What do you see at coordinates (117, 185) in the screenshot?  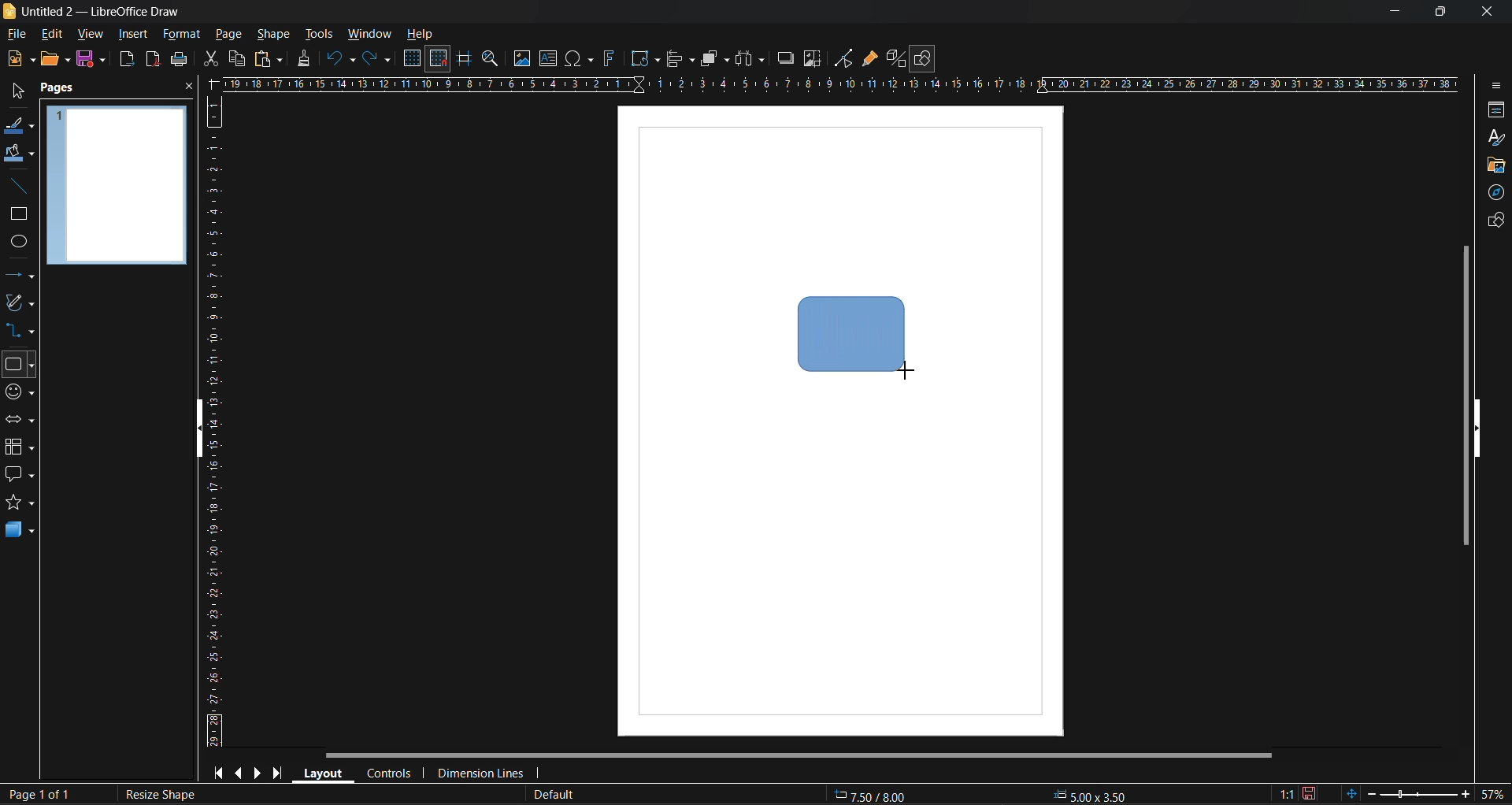 I see `page preview` at bounding box center [117, 185].